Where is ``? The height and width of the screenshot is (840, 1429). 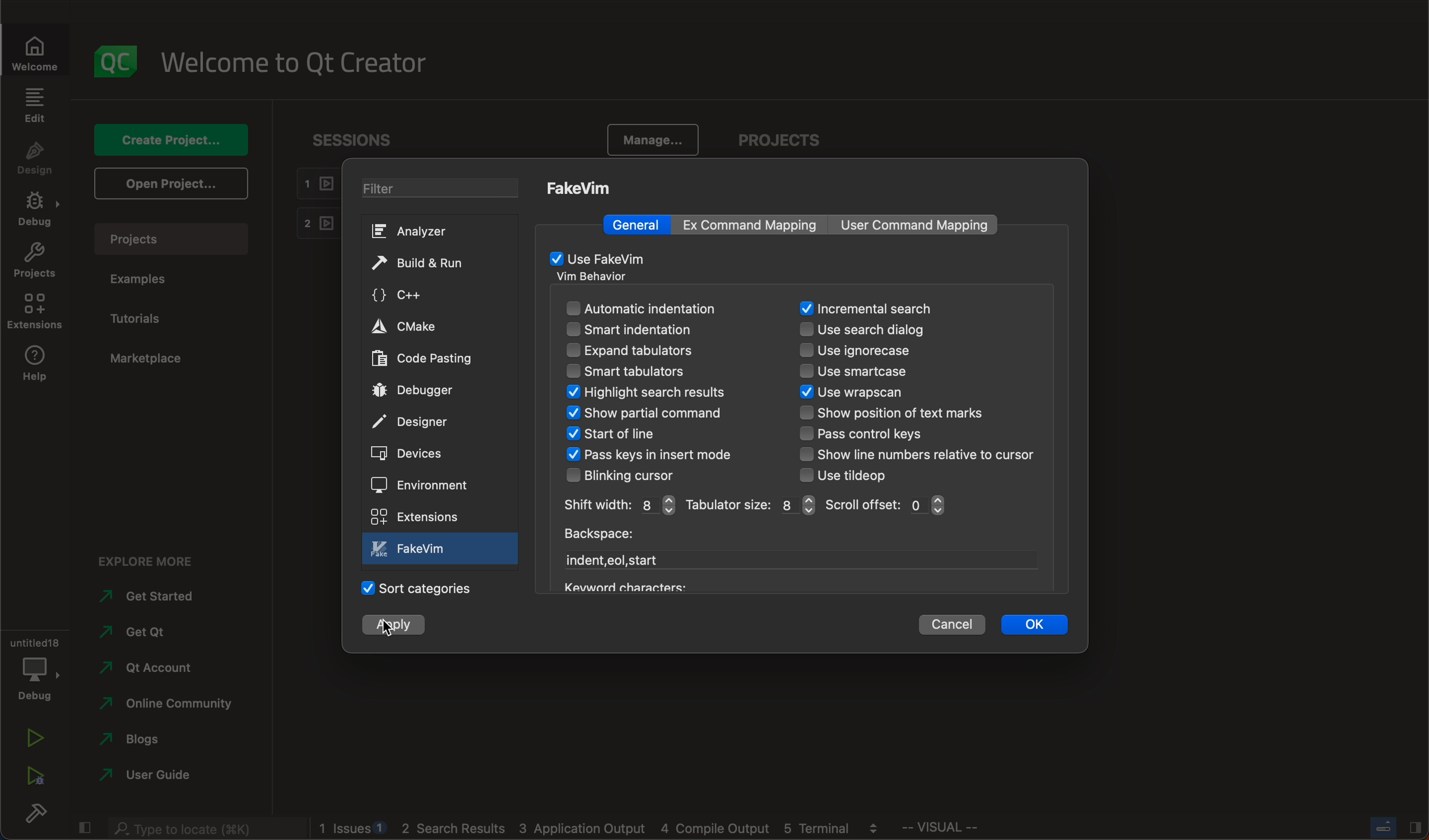  is located at coordinates (581, 826).